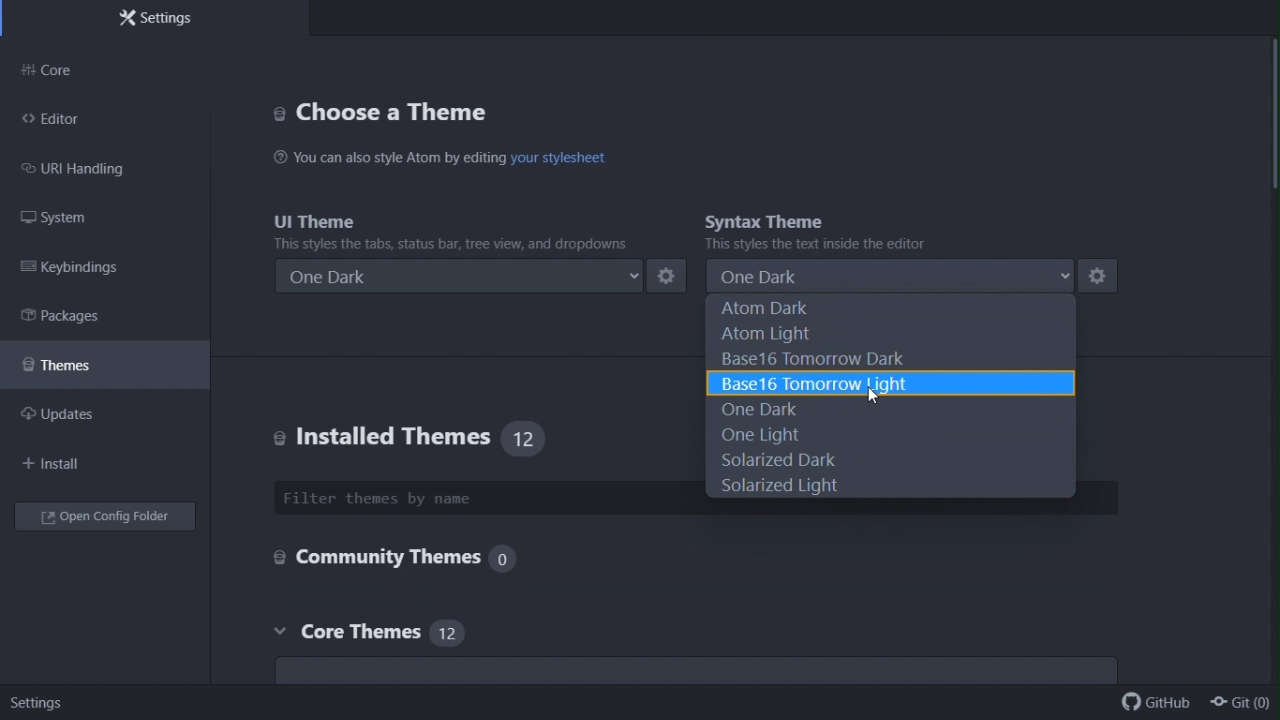 The image size is (1280, 720). I want to click on settings, so click(668, 280).